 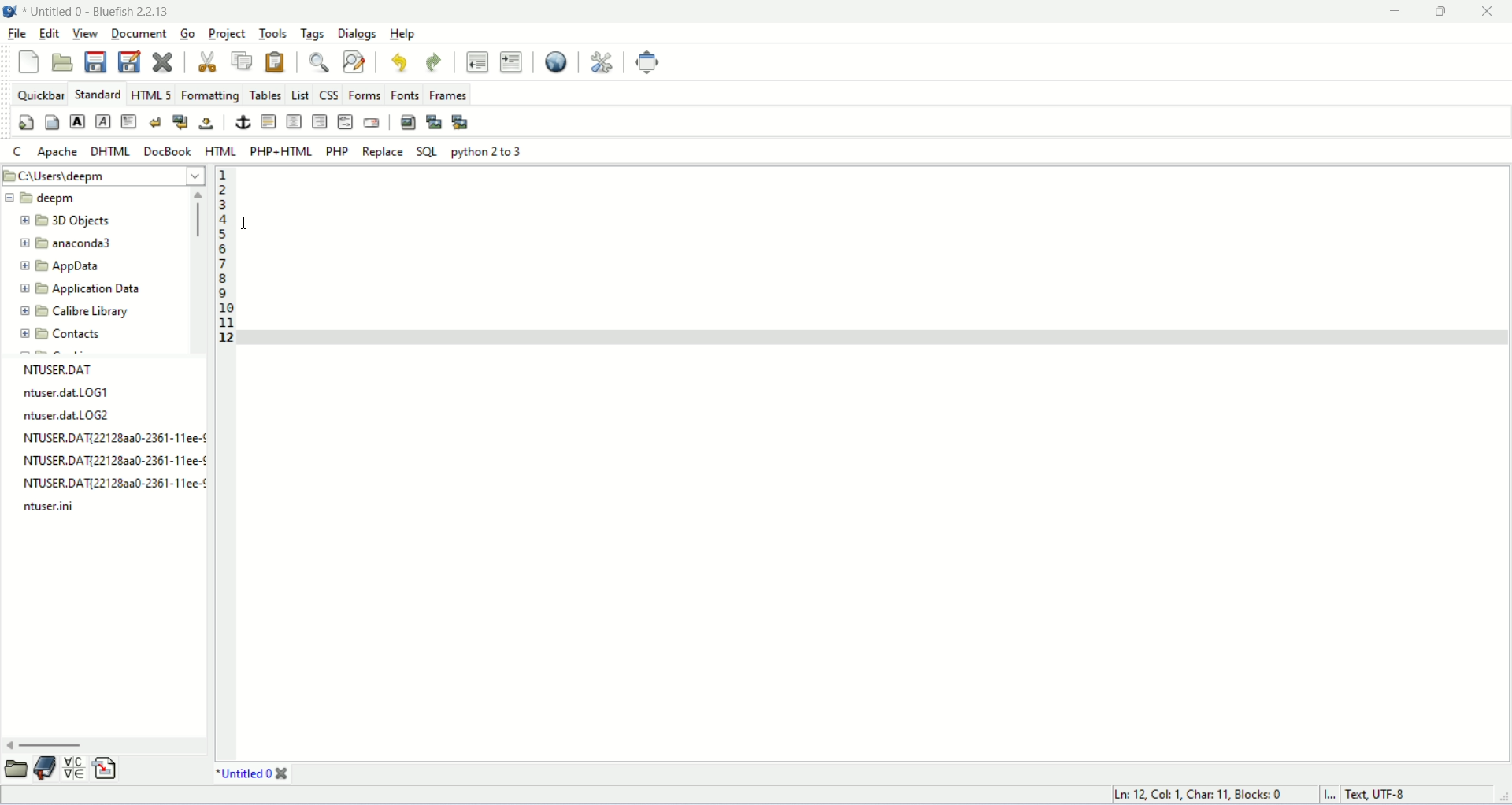 What do you see at coordinates (26, 64) in the screenshot?
I see `new file` at bounding box center [26, 64].